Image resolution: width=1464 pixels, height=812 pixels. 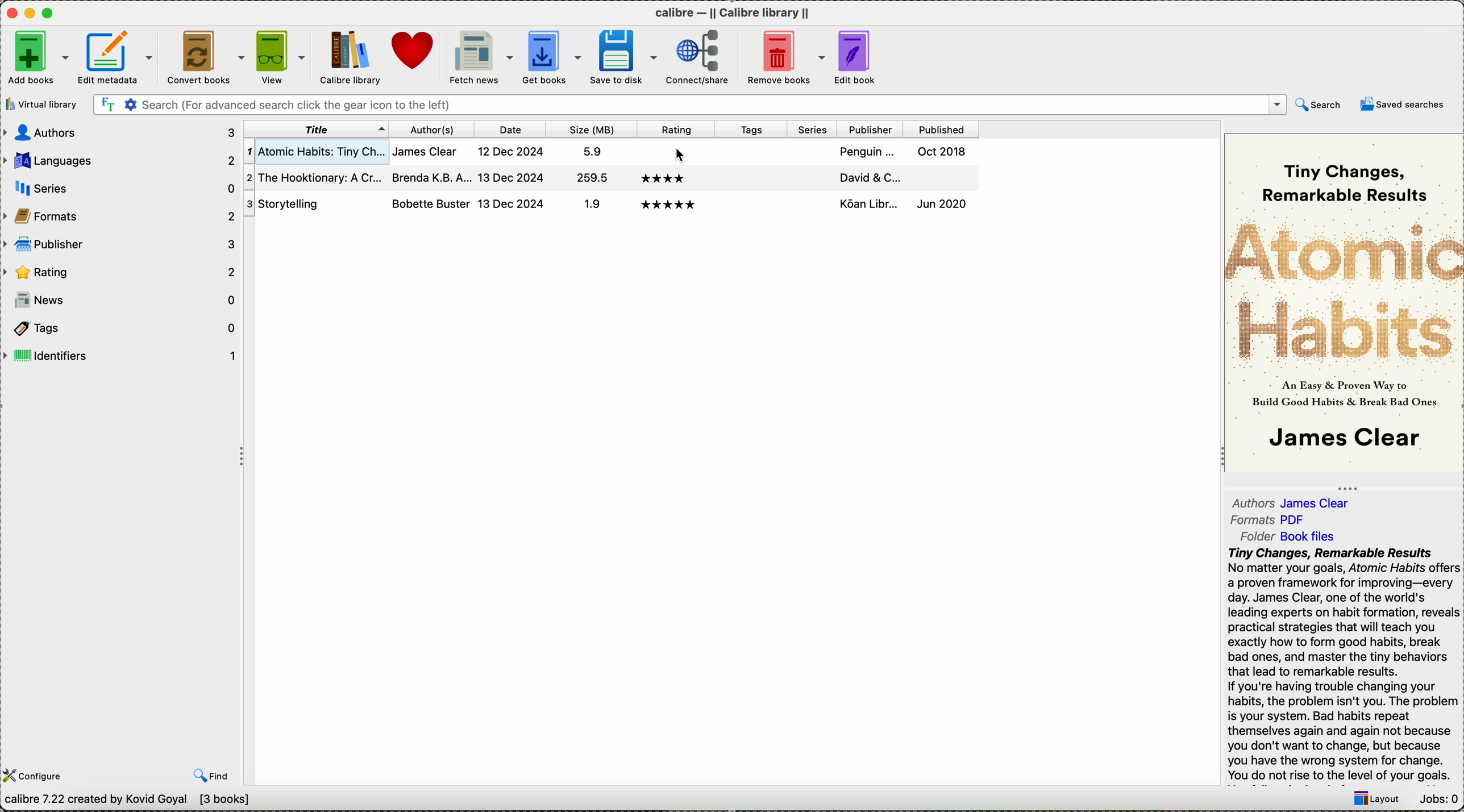 I want to click on languages, so click(x=122, y=162).